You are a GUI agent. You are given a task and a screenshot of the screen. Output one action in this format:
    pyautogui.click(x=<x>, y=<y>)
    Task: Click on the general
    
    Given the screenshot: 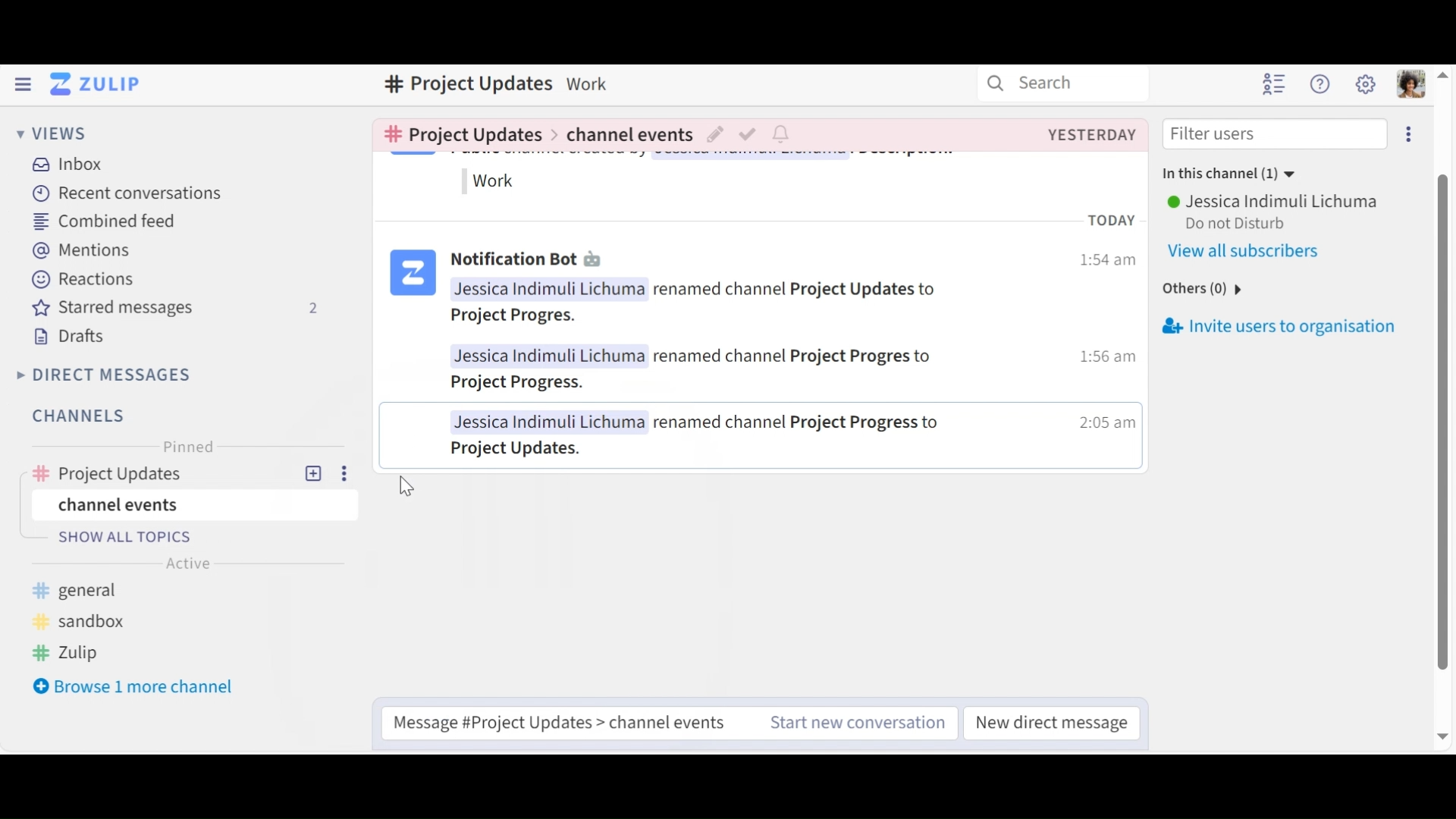 What is the action you would take?
    pyautogui.click(x=86, y=589)
    